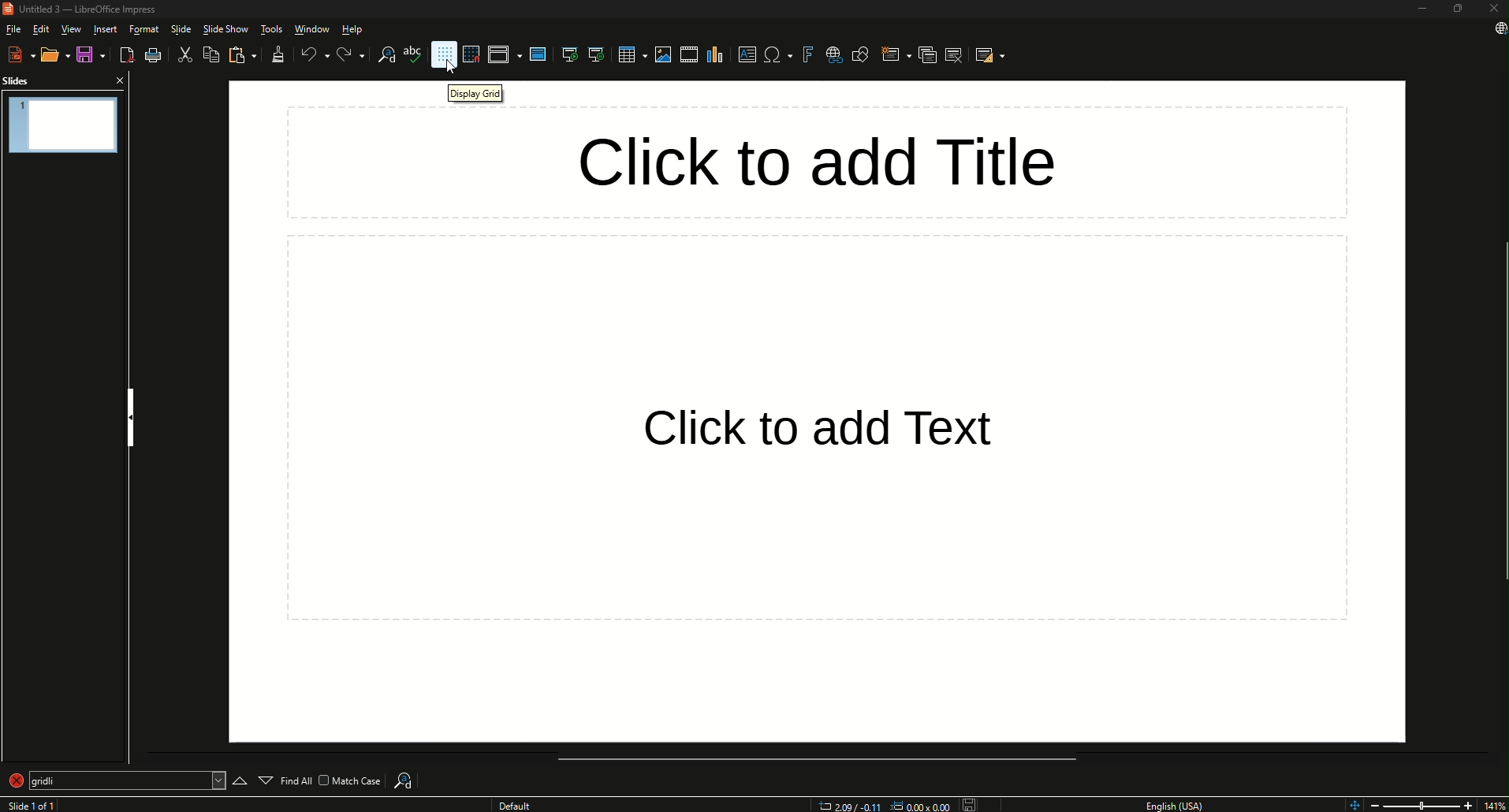  What do you see at coordinates (210, 55) in the screenshot?
I see `Copy` at bounding box center [210, 55].